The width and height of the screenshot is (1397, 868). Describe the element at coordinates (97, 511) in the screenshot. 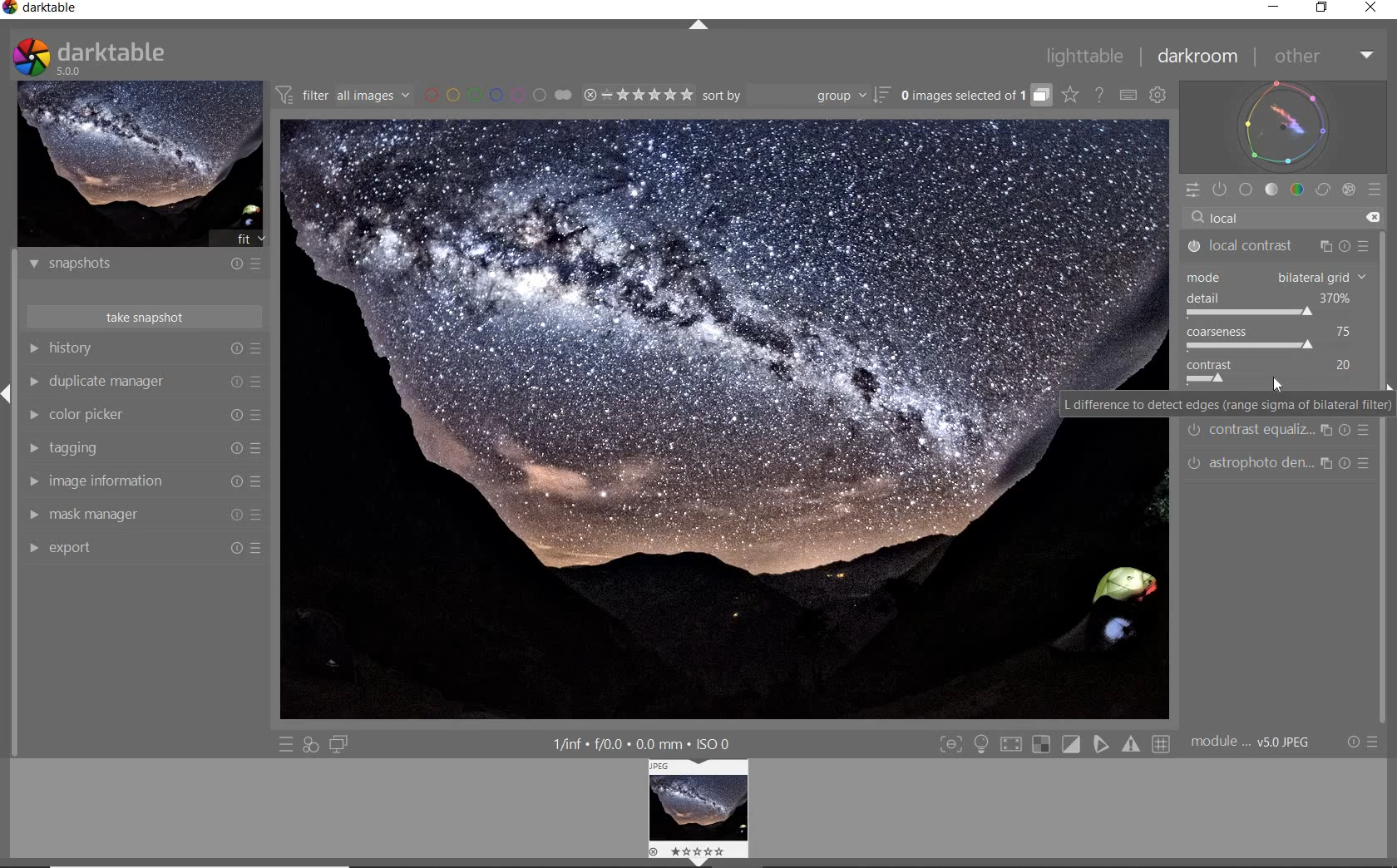

I see `mask manager` at that location.